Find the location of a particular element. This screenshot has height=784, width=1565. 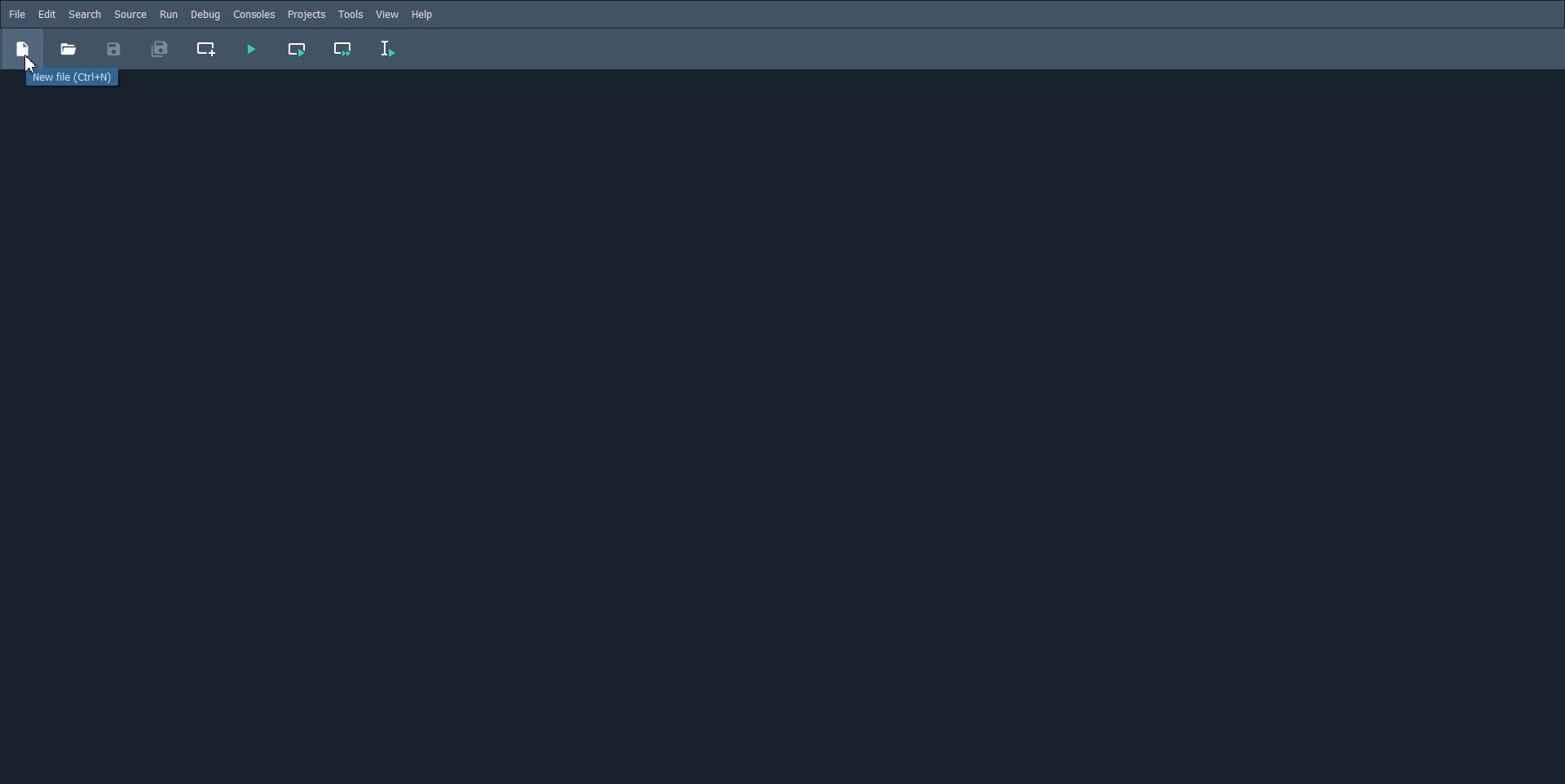

 is located at coordinates (68, 49).